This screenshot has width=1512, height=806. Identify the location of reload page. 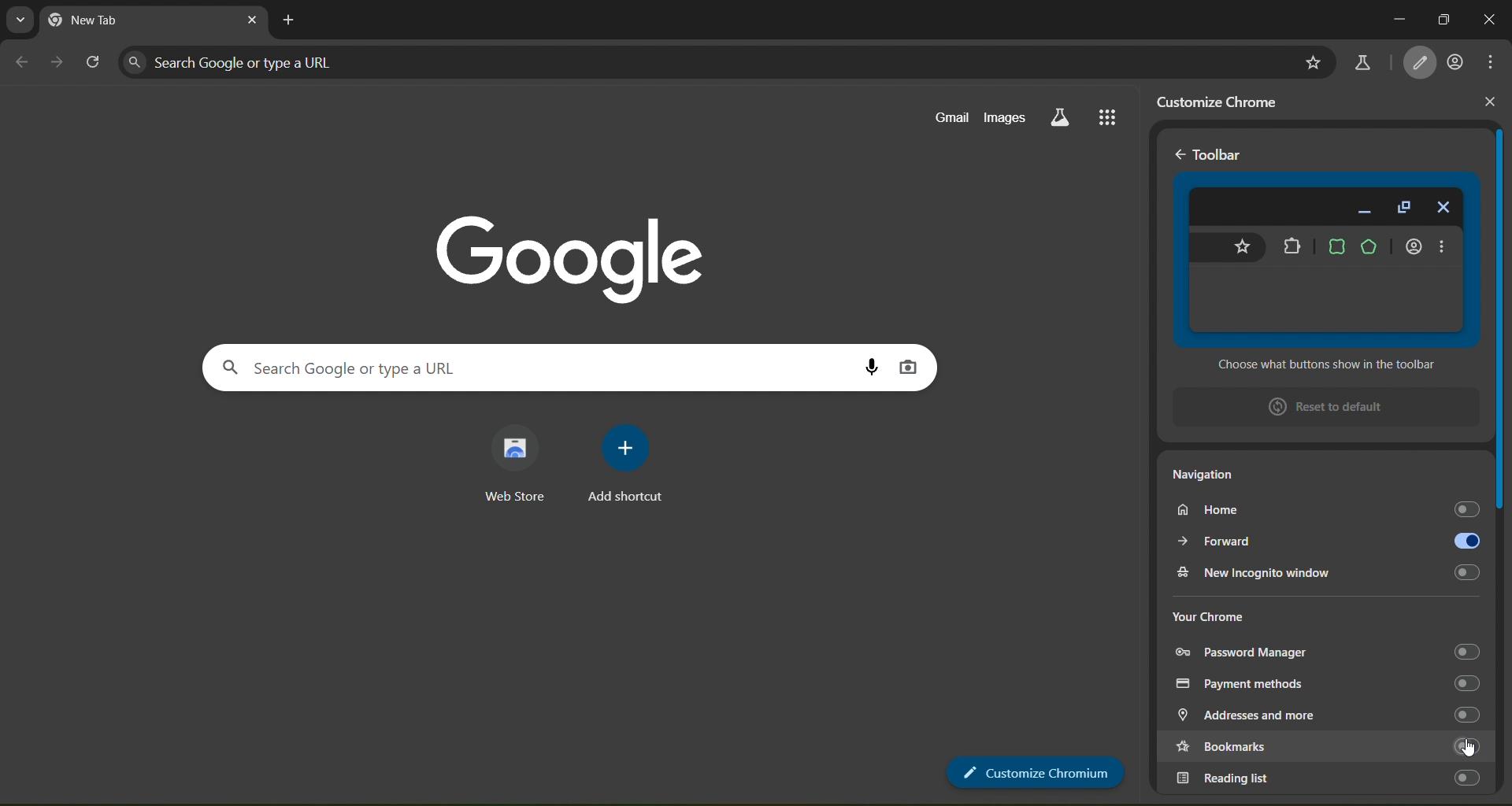
(93, 59).